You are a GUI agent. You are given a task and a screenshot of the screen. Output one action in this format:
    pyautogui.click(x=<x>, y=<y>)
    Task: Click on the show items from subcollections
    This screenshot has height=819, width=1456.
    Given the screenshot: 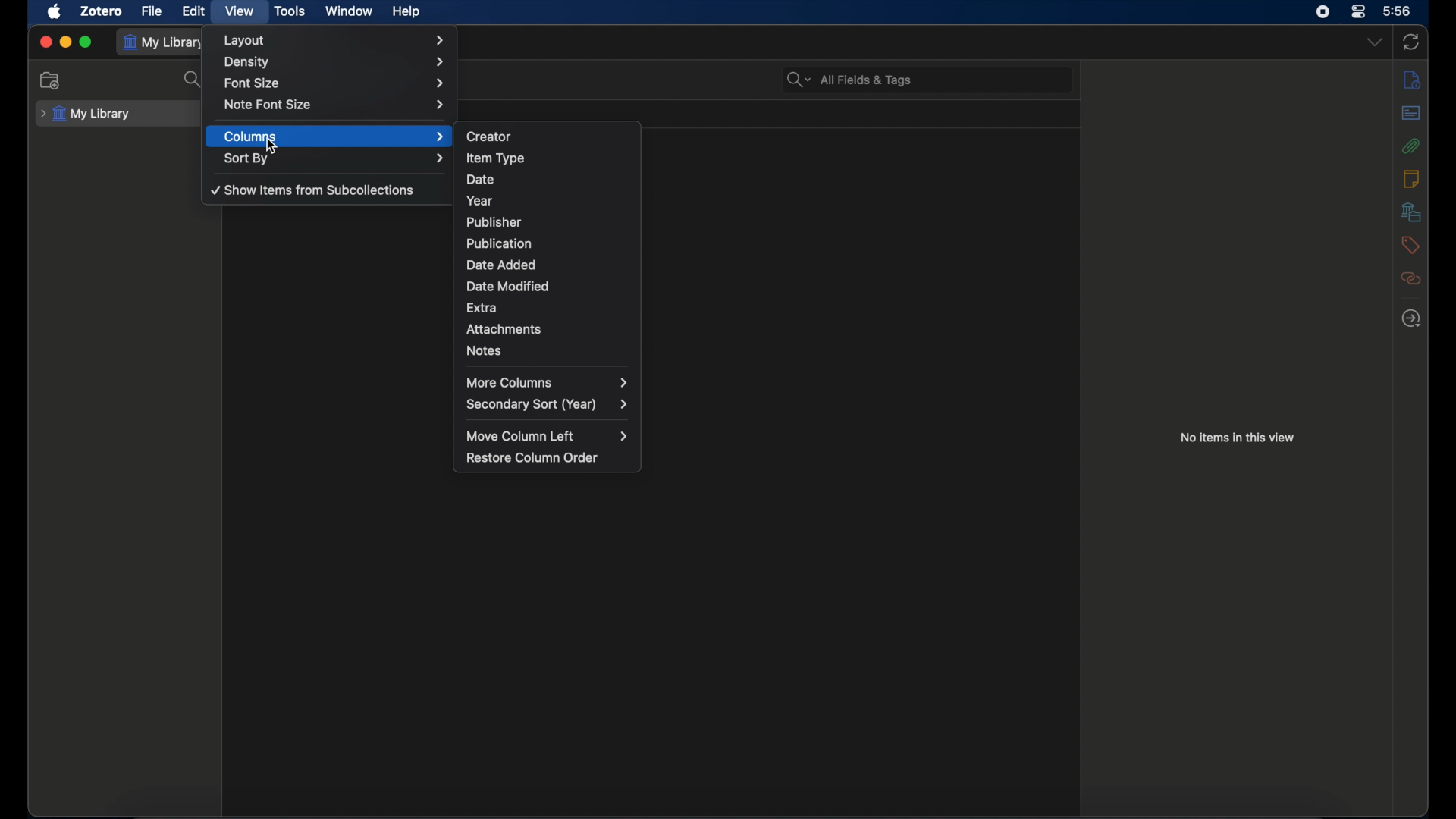 What is the action you would take?
    pyautogui.click(x=312, y=191)
    